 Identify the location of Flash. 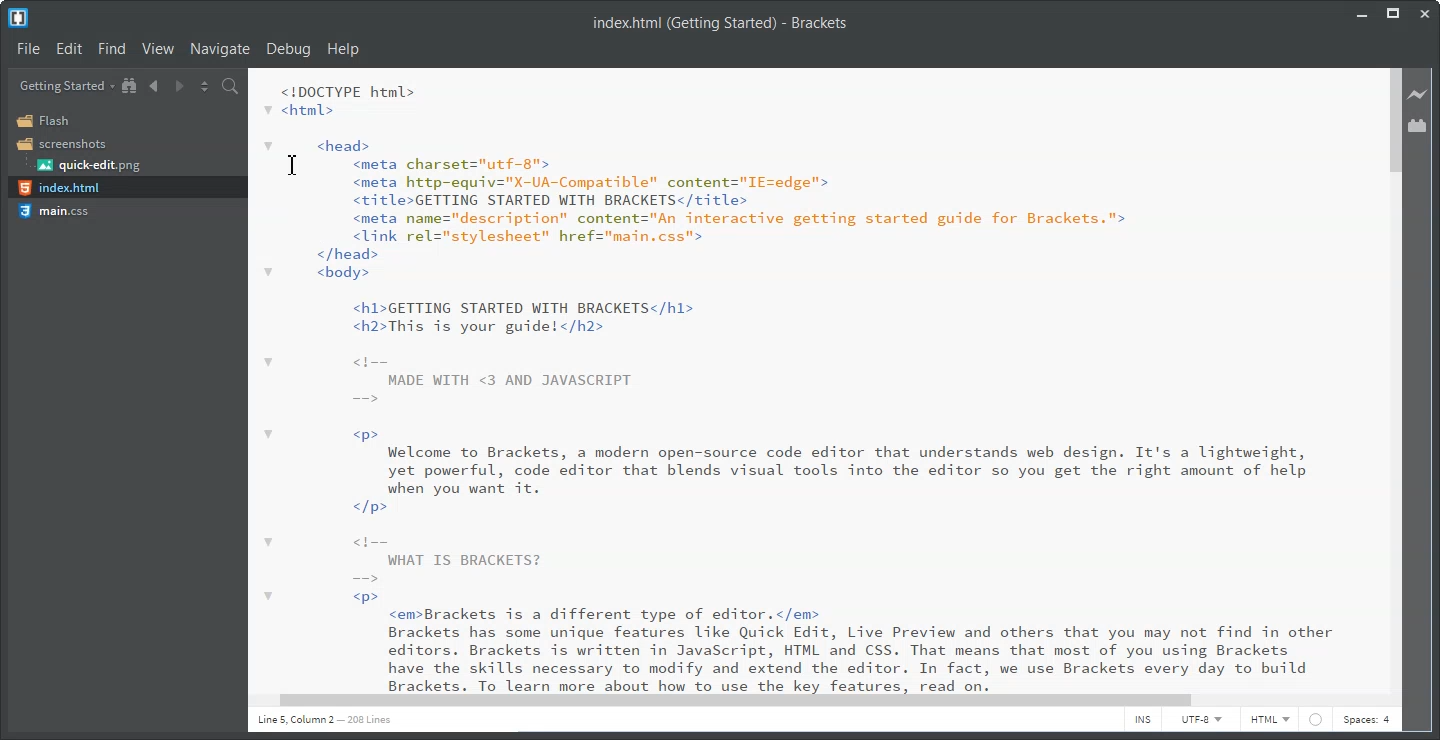
(50, 121).